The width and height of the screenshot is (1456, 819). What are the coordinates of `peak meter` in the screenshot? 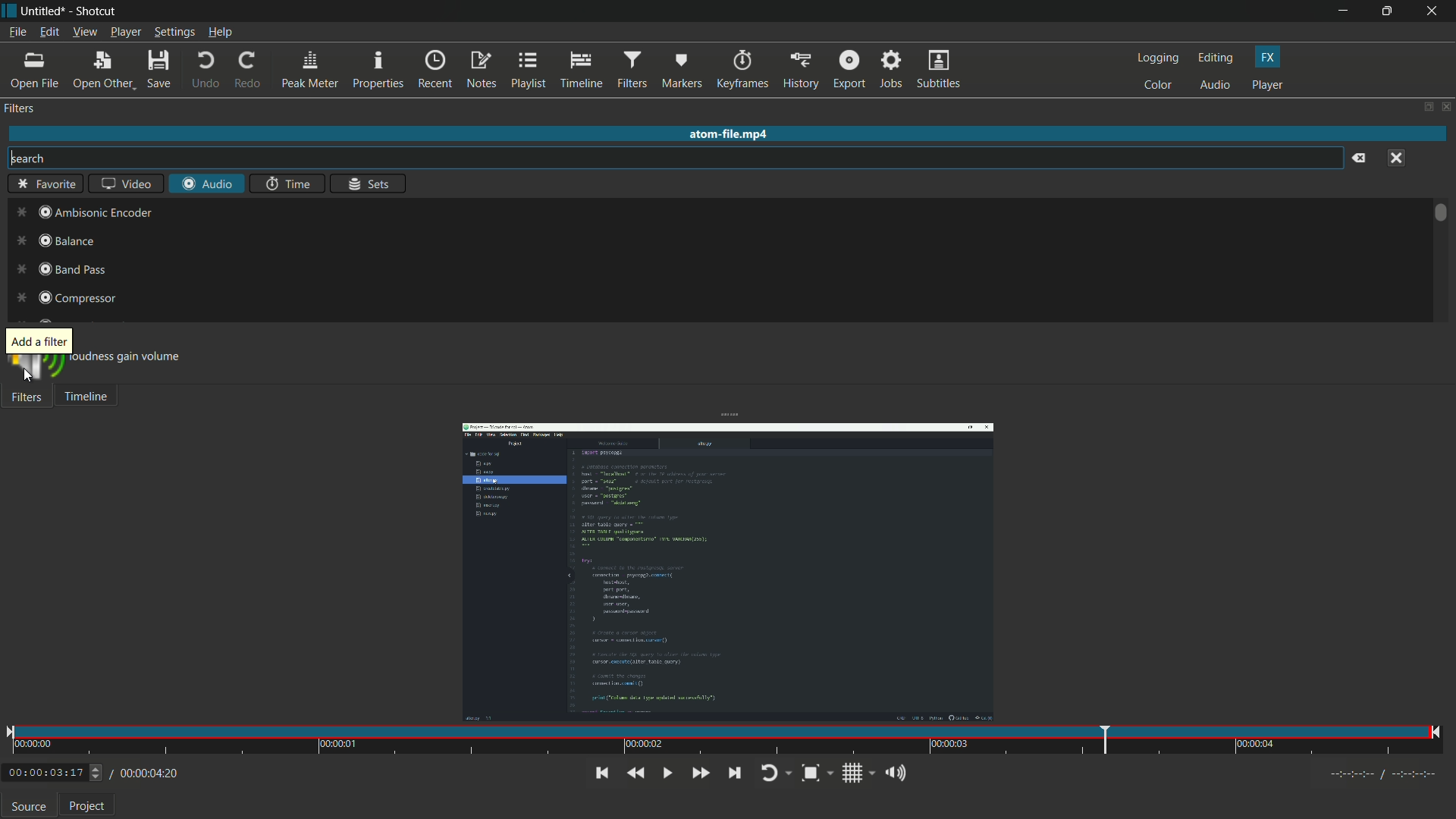 It's located at (311, 71).